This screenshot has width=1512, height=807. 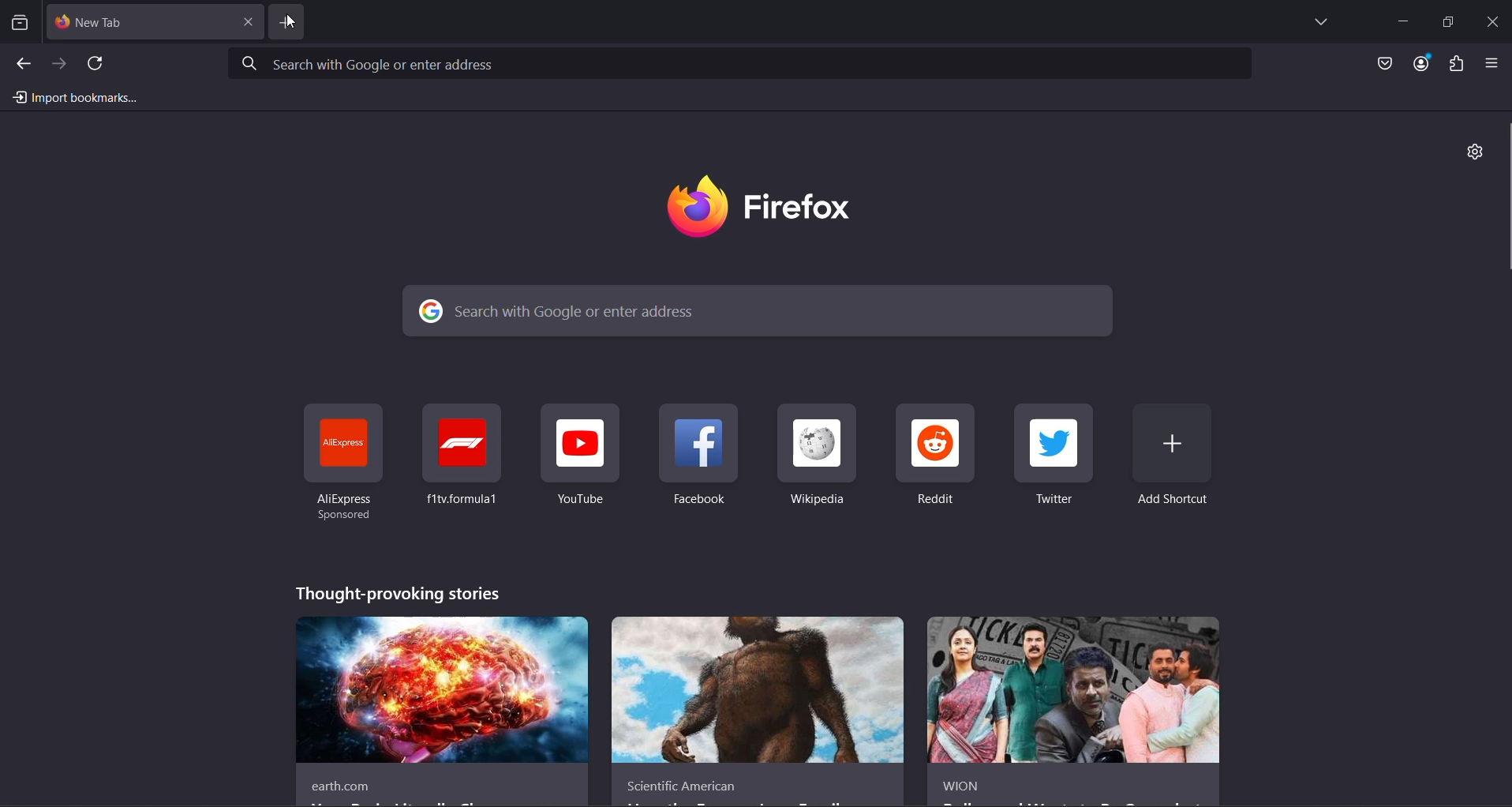 What do you see at coordinates (97, 63) in the screenshot?
I see `reload current page` at bounding box center [97, 63].